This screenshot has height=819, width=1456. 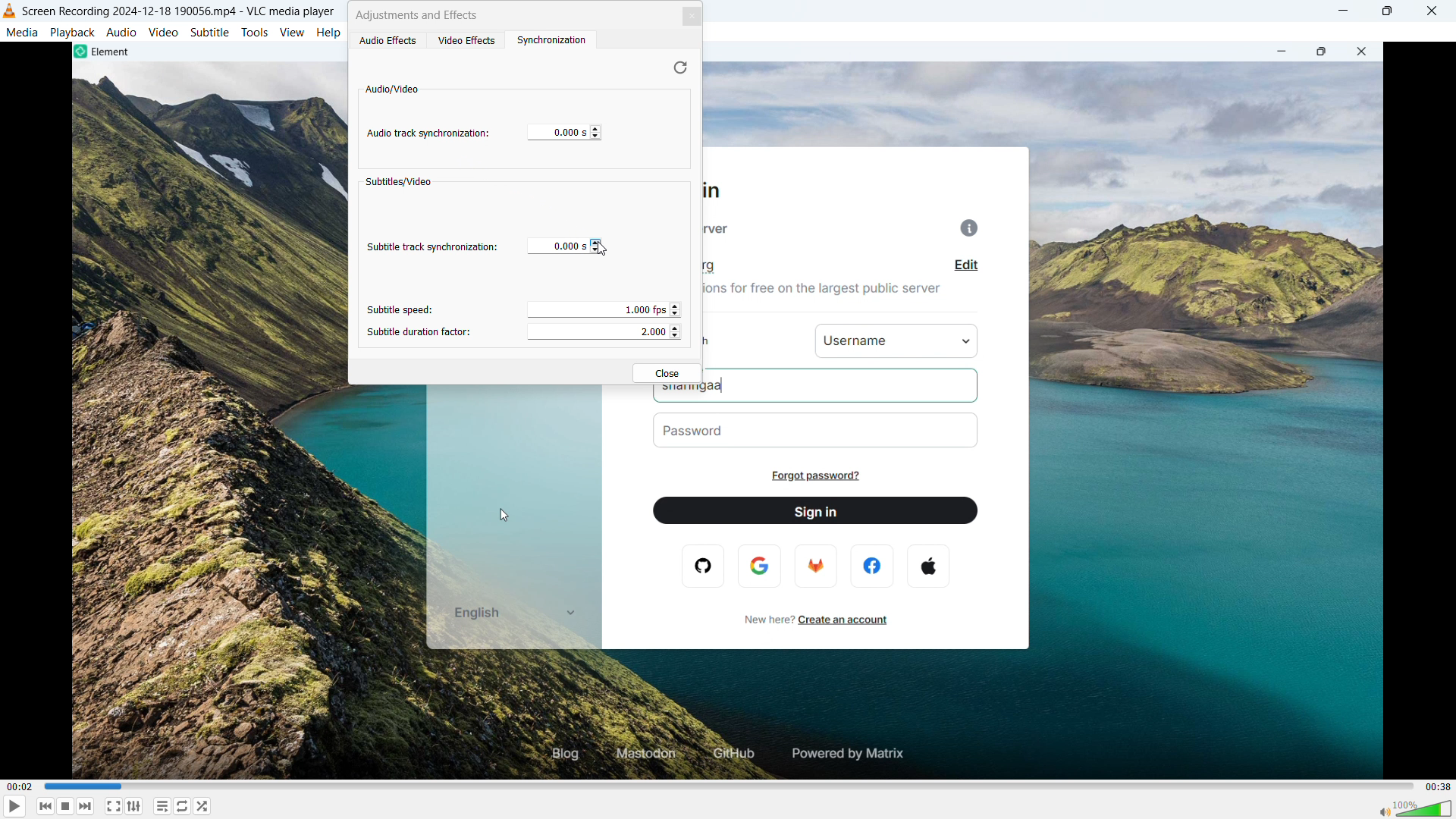 I want to click on new here?, so click(x=766, y=618).